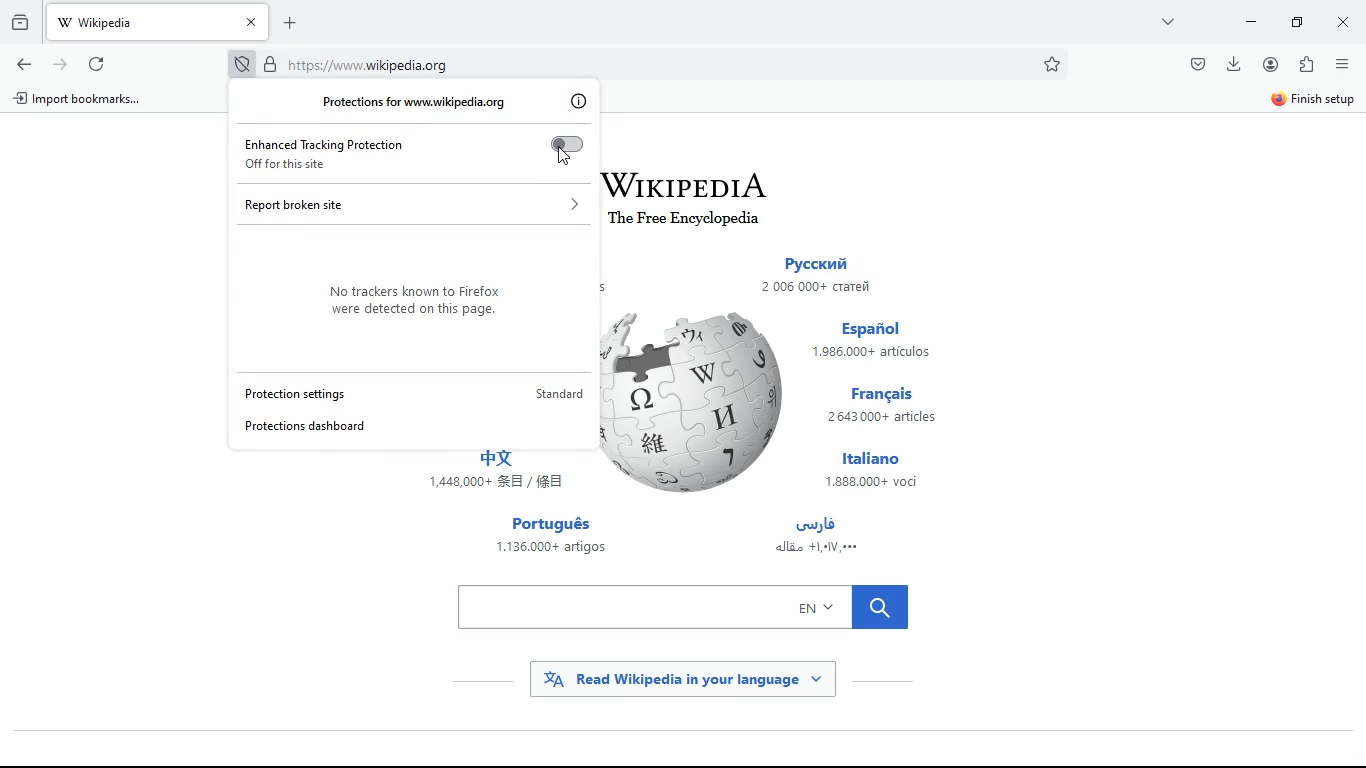  Describe the element at coordinates (100, 64) in the screenshot. I see `refresh` at that location.